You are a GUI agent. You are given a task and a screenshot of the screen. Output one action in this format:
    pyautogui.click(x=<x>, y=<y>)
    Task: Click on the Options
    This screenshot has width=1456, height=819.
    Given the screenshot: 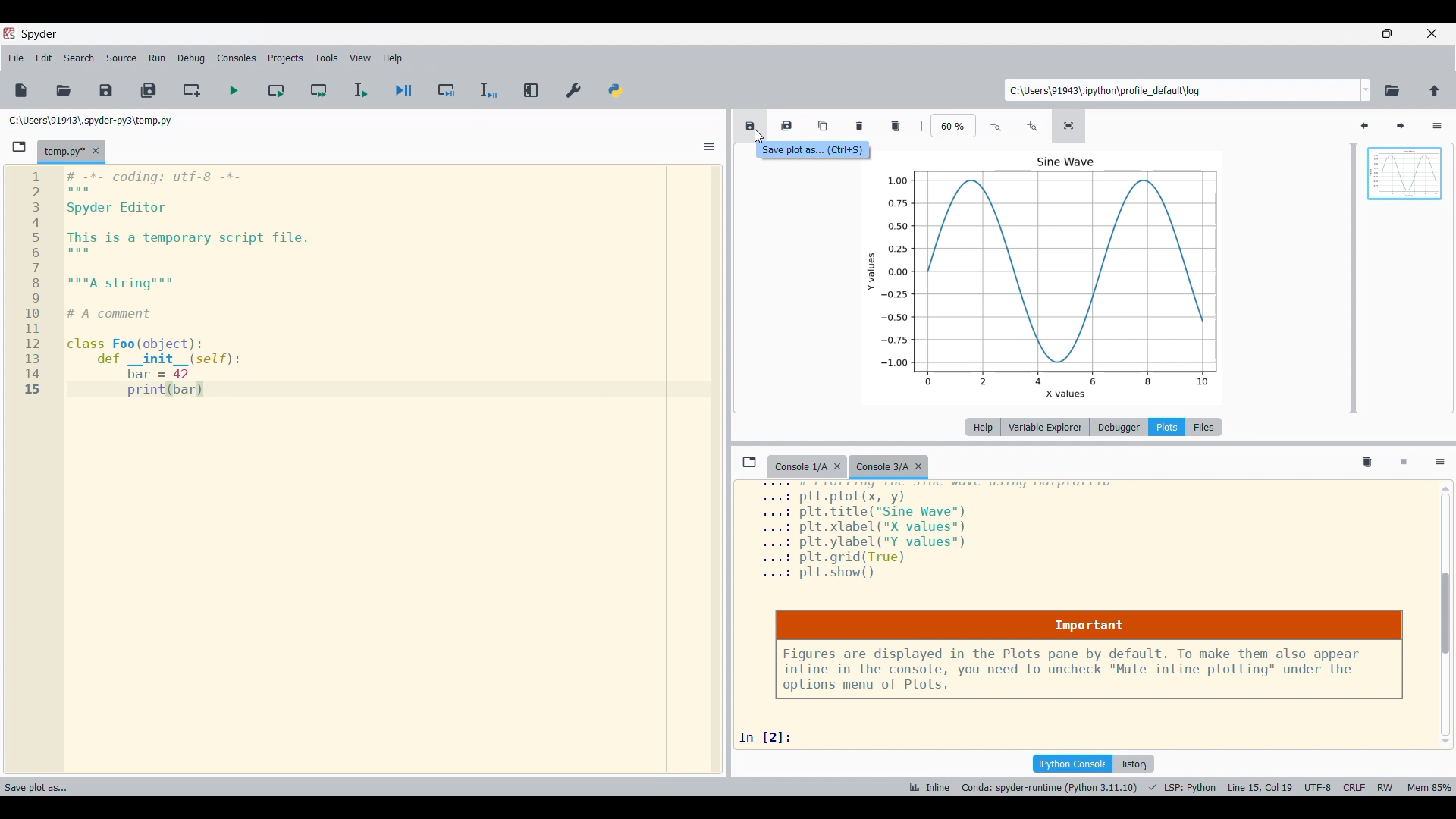 What is the action you would take?
    pyautogui.click(x=1438, y=126)
    